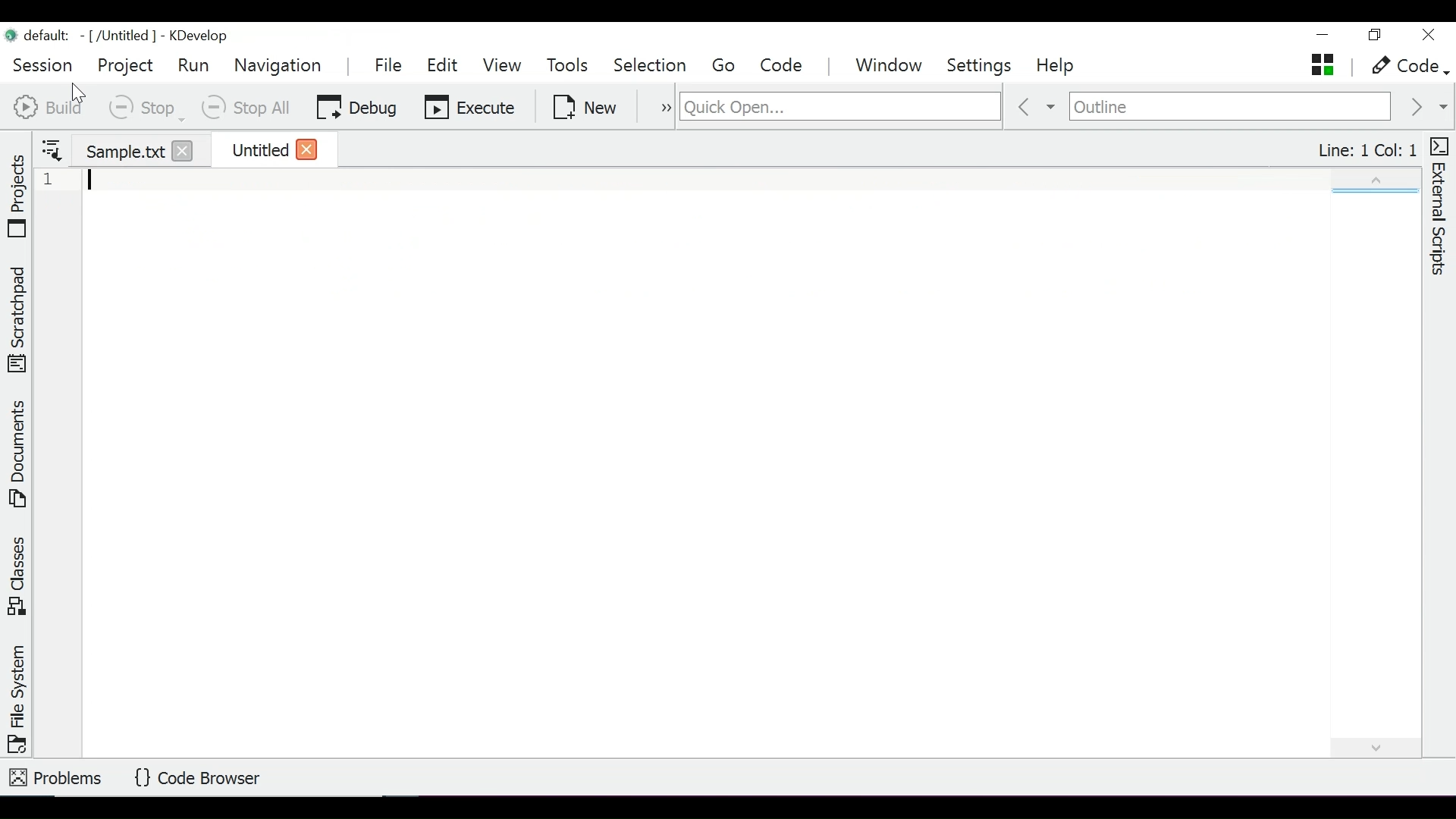 Image resolution: width=1456 pixels, height=819 pixels. What do you see at coordinates (195, 778) in the screenshot?
I see `Code Browser` at bounding box center [195, 778].